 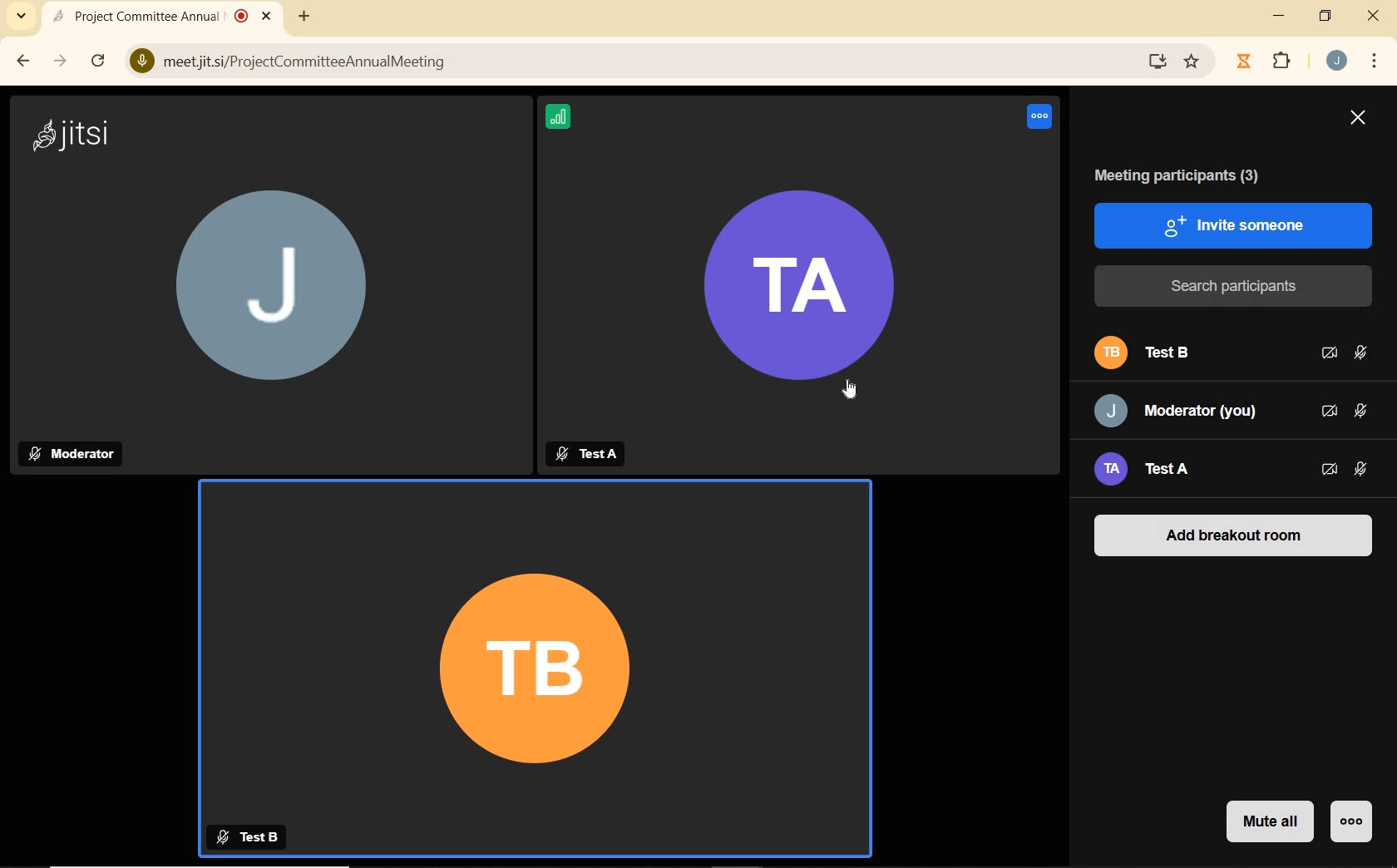 What do you see at coordinates (580, 453) in the screenshot?
I see `TestA` at bounding box center [580, 453].